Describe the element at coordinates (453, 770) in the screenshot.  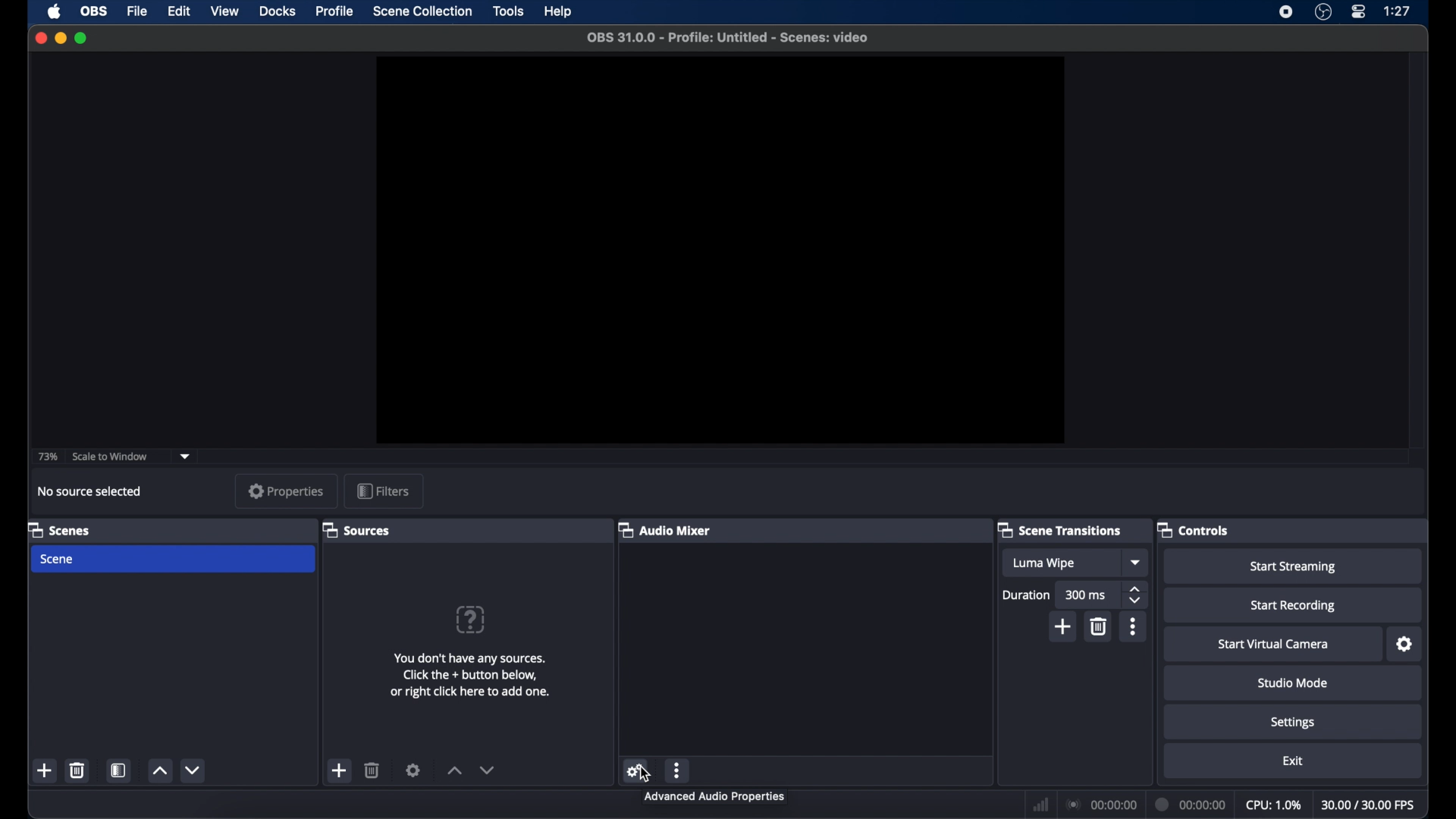
I see `increment` at that location.